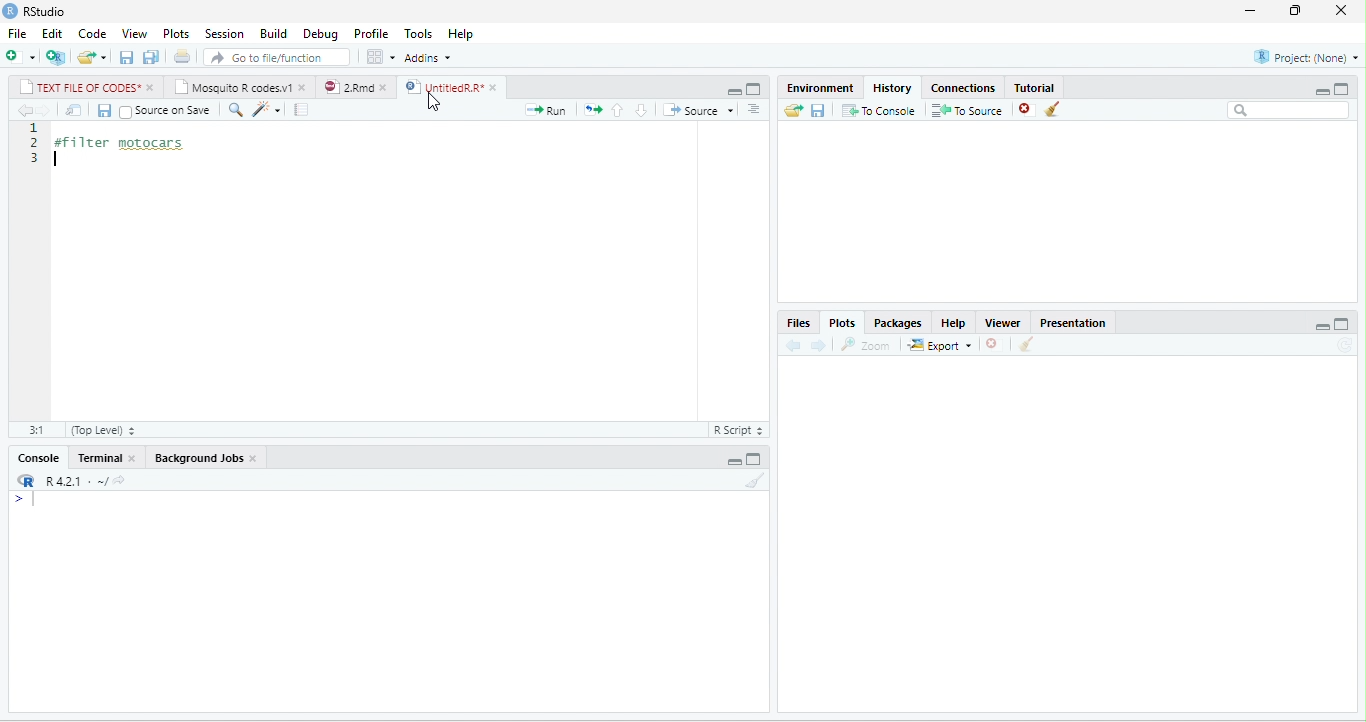  What do you see at coordinates (864, 345) in the screenshot?
I see `Zoom` at bounding box center [864, 345].